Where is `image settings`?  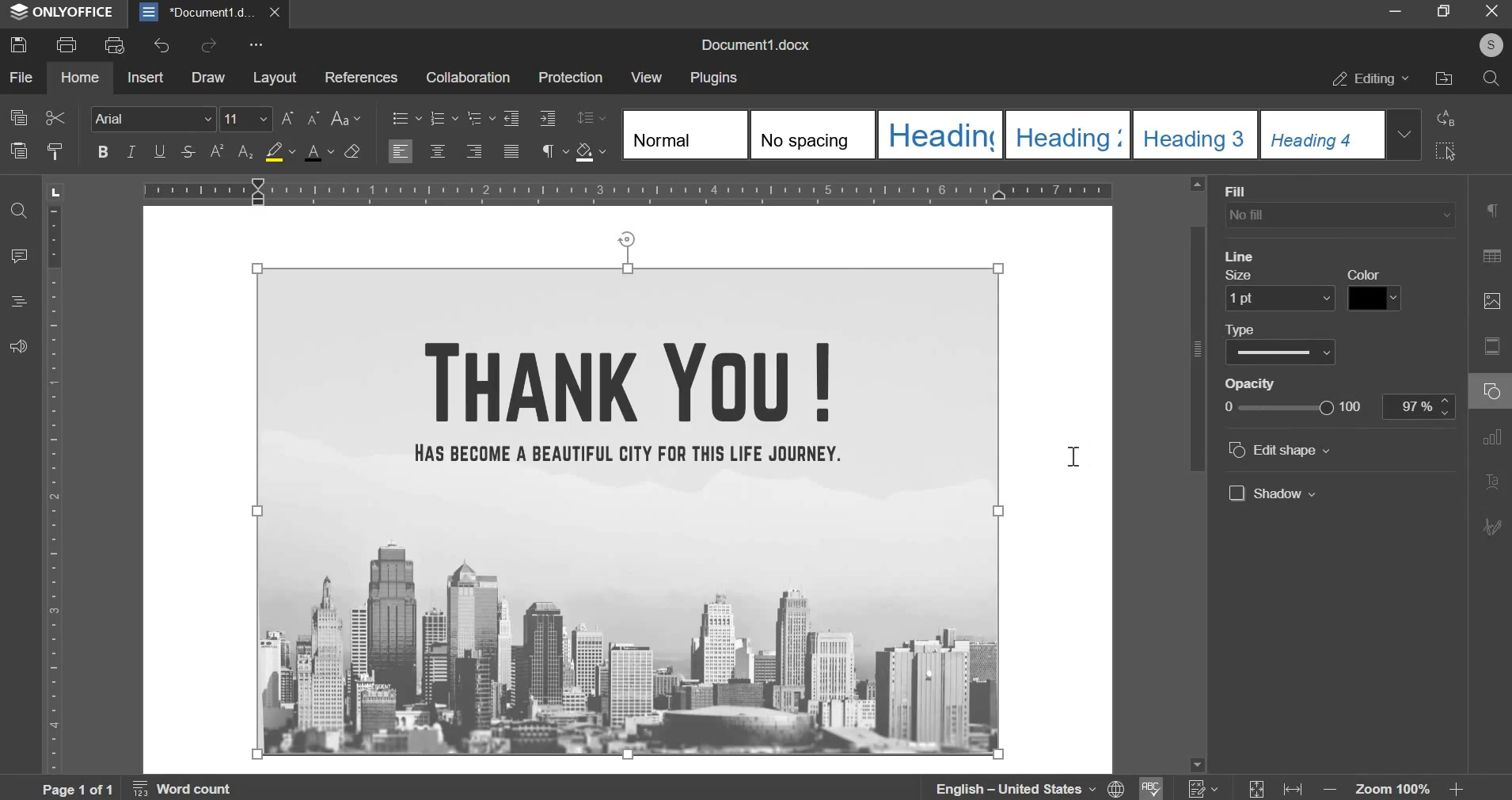
image settings is located at coordinates (1492, 302).